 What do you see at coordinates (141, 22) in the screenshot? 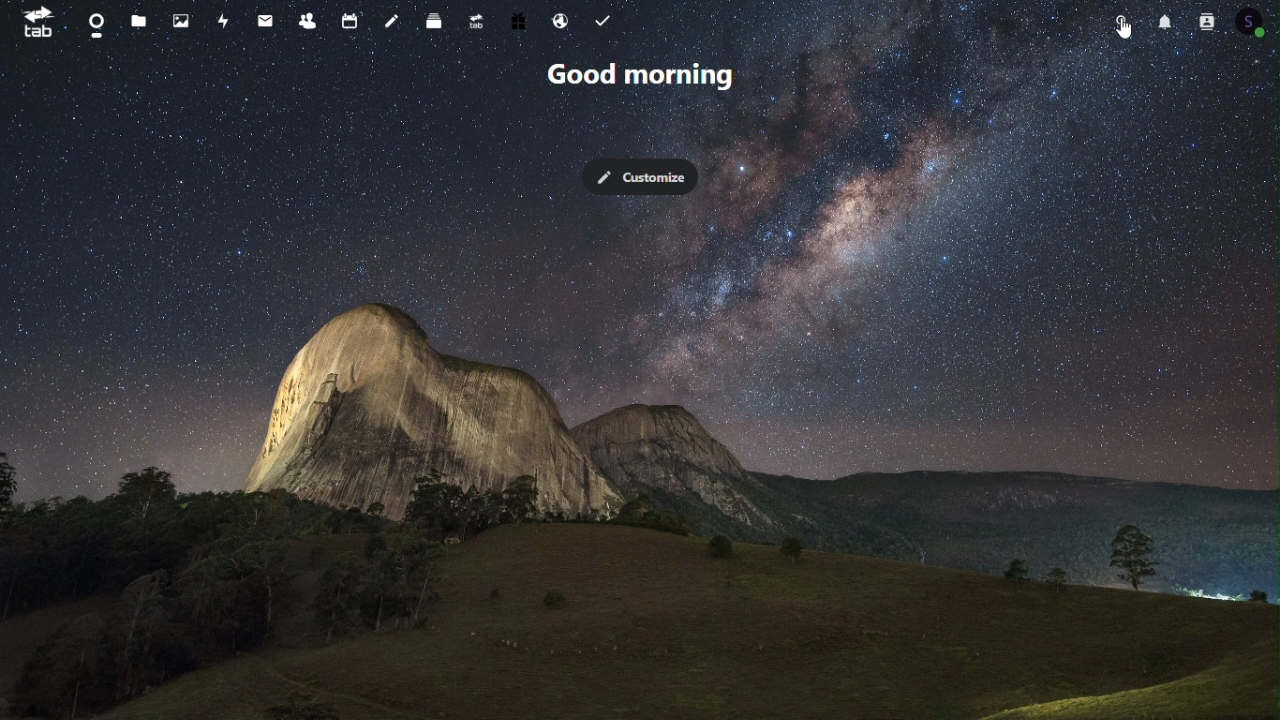
I see `Files` at bounding box center [141, 22].